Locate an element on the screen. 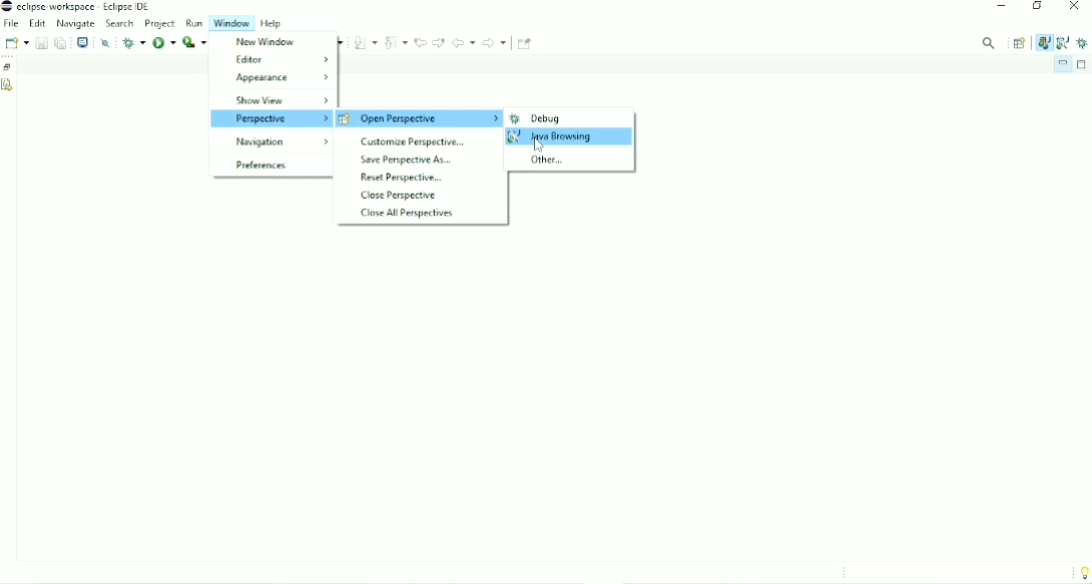 The height and width of the screenshot is (584, 1092). Debug is located at coordinates (1083, 42).